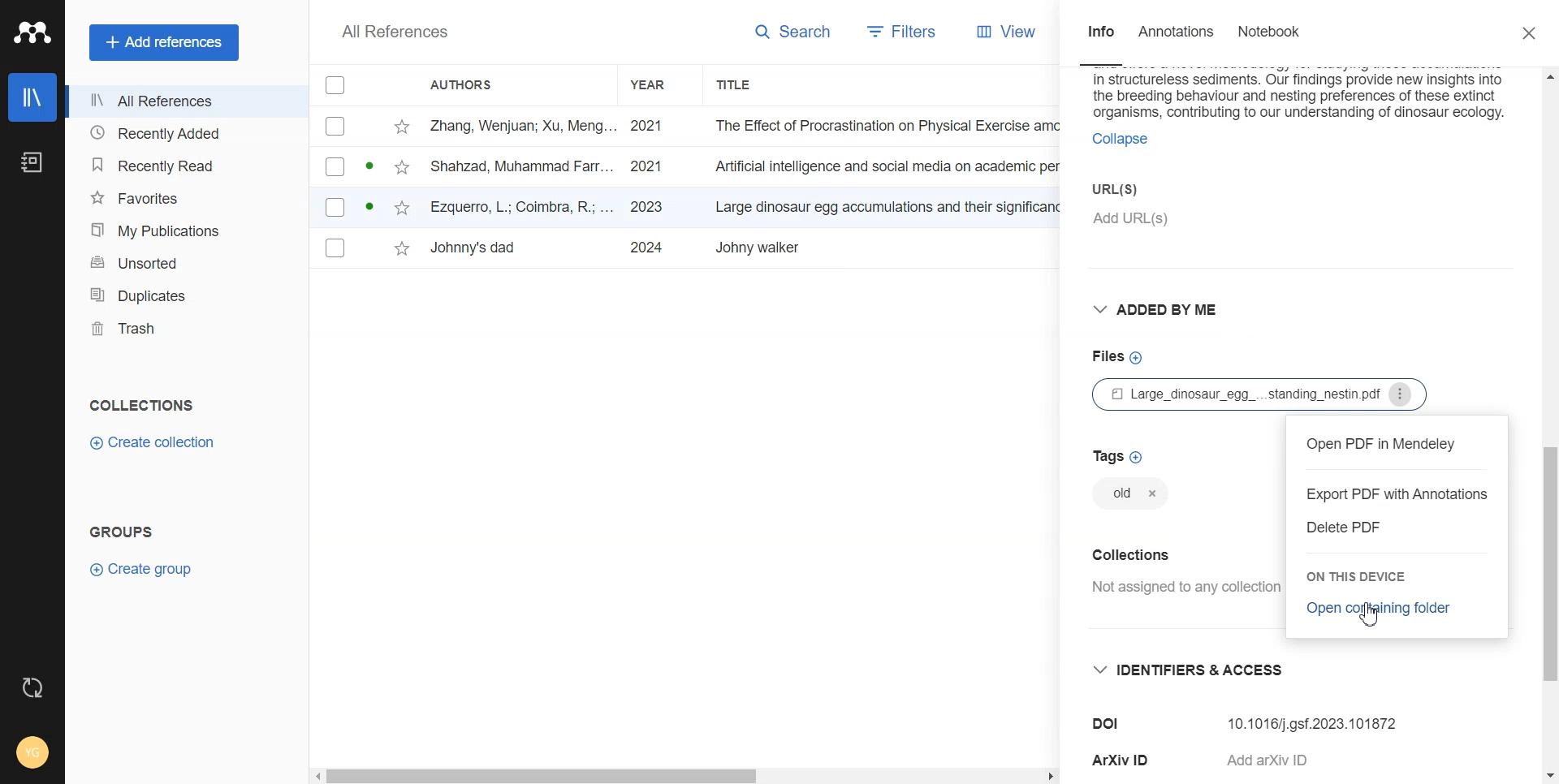 This screenshot has height=784, width=1559. I want to click on Scroll Left, so click(315, 776).